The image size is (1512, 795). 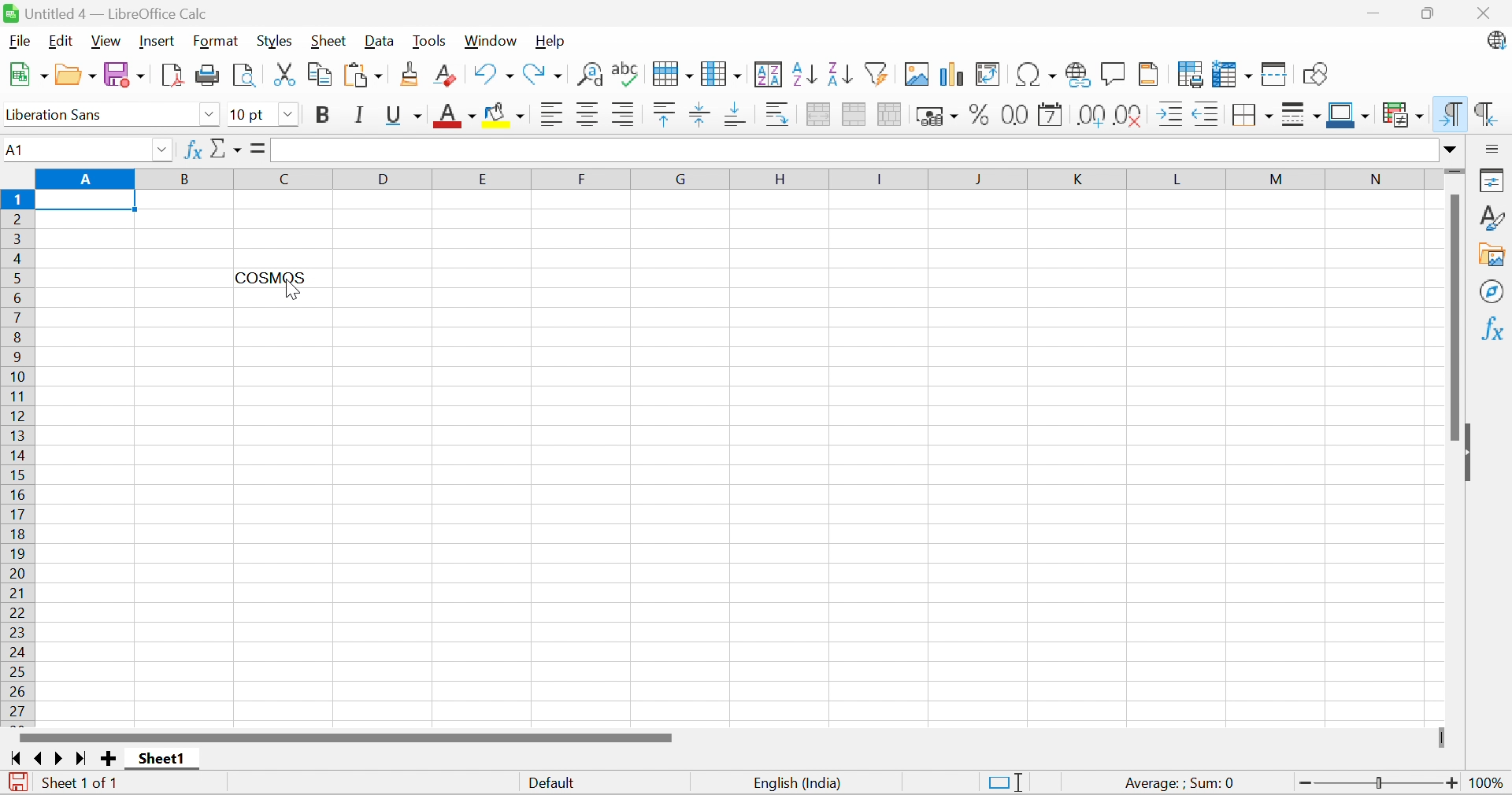 What do you see at coordinates (1191, 74) in the screenshot?
I see `Define Print Area` at bounding box center [1191, 74].